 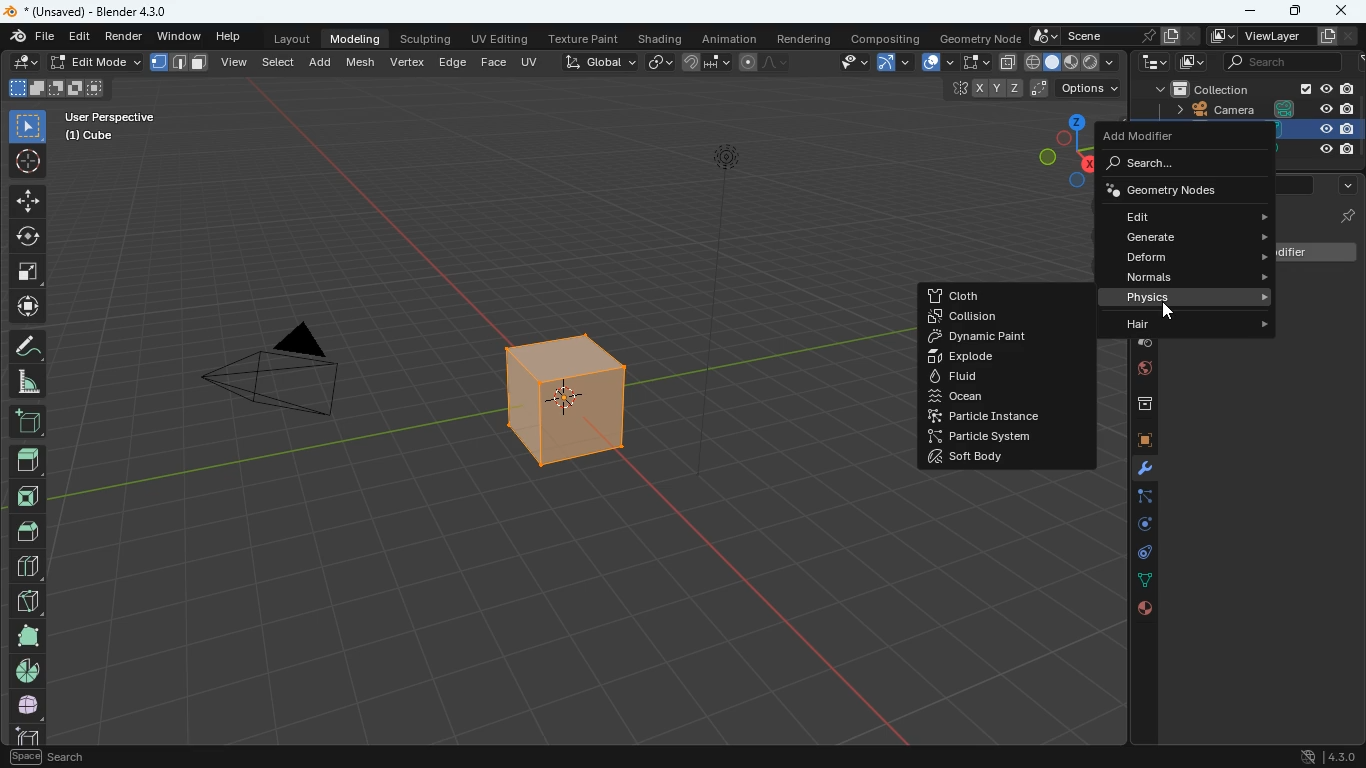 What do you see at coordinates (30, 703) in the screenshot?
I see `full` at bounding box center [30, 703].